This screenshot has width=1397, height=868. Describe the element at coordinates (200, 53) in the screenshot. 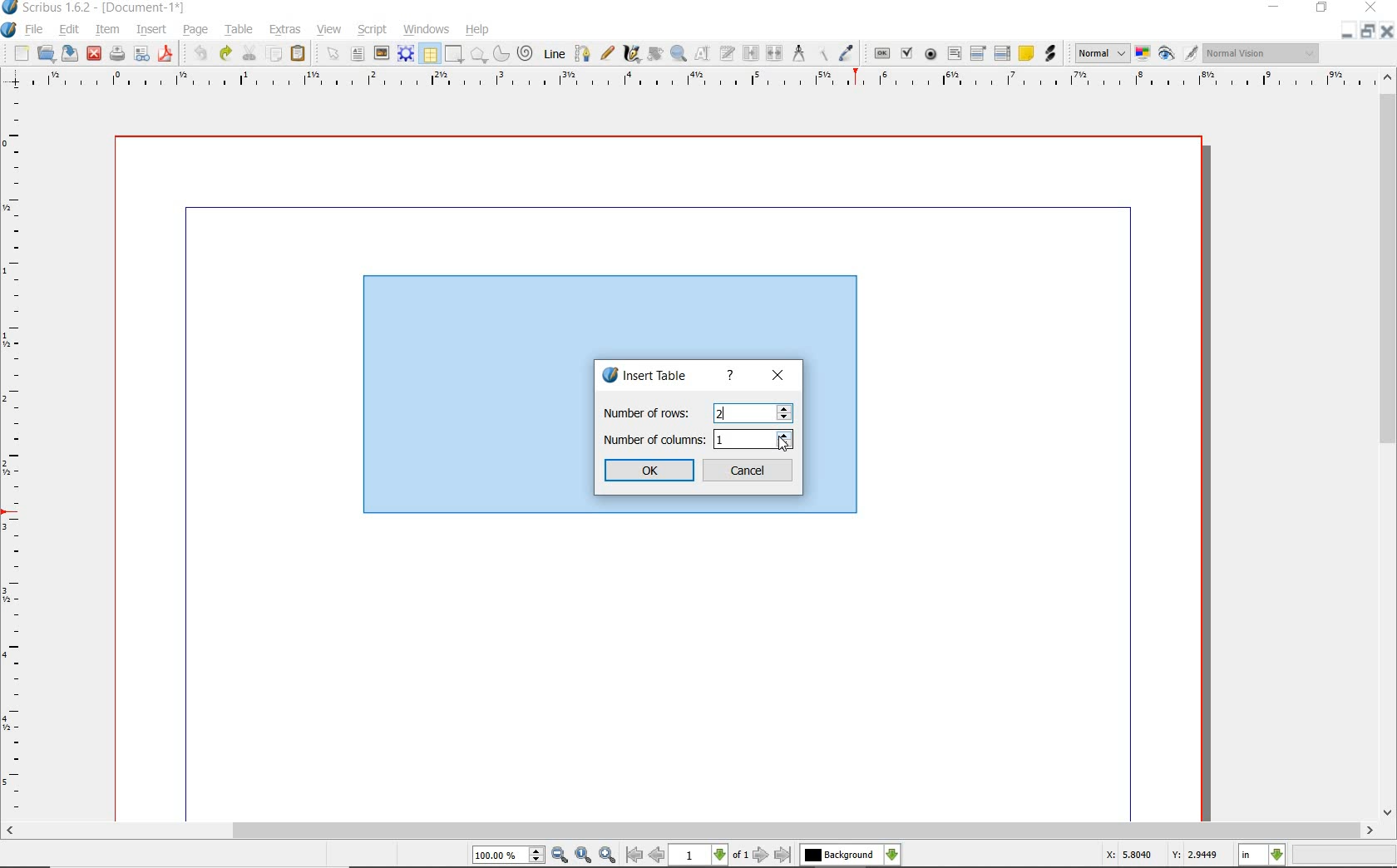

I see `undo` at that location.